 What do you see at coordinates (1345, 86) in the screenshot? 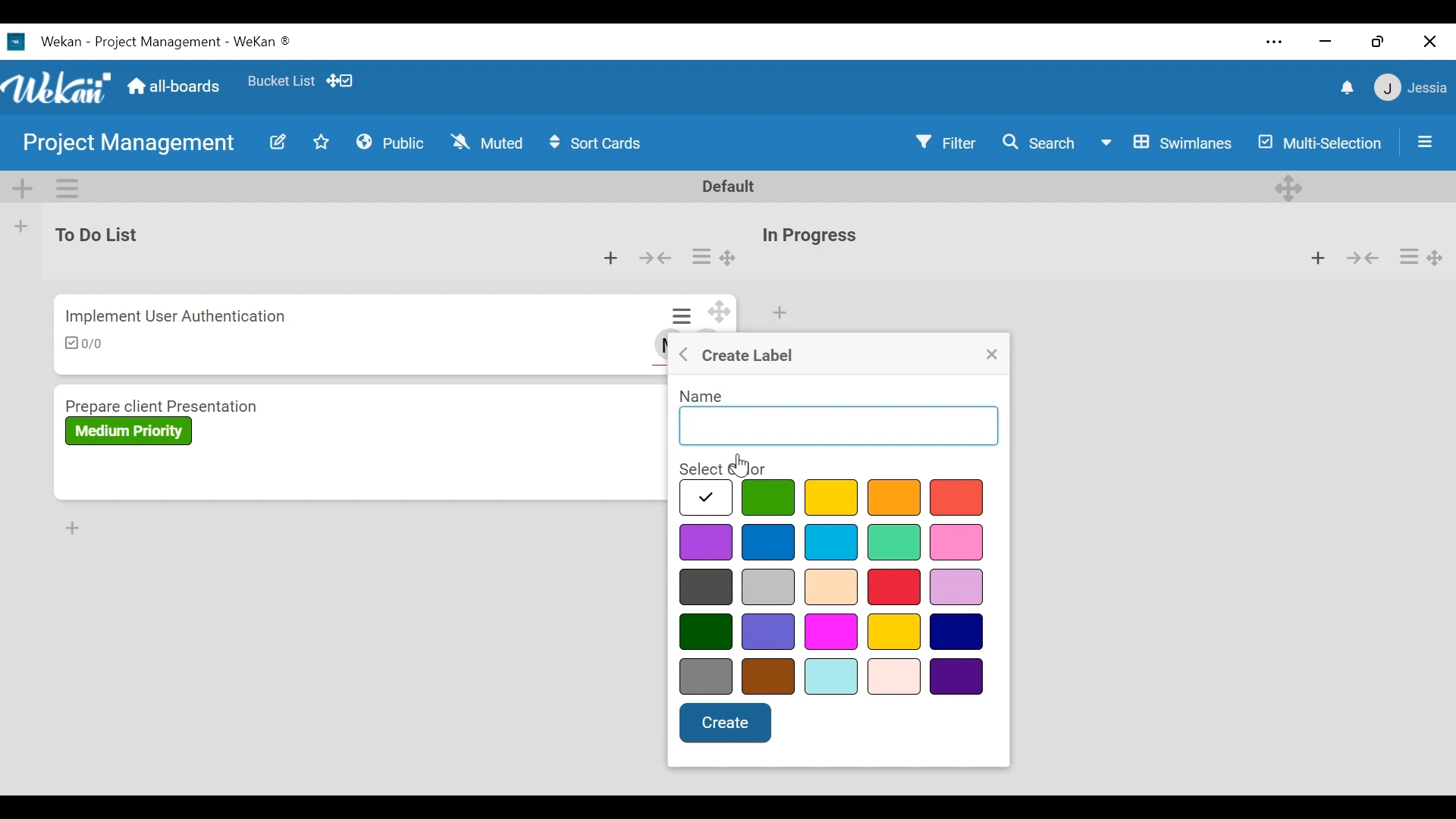
I see `notifications` at bounding box center [1345, 86].